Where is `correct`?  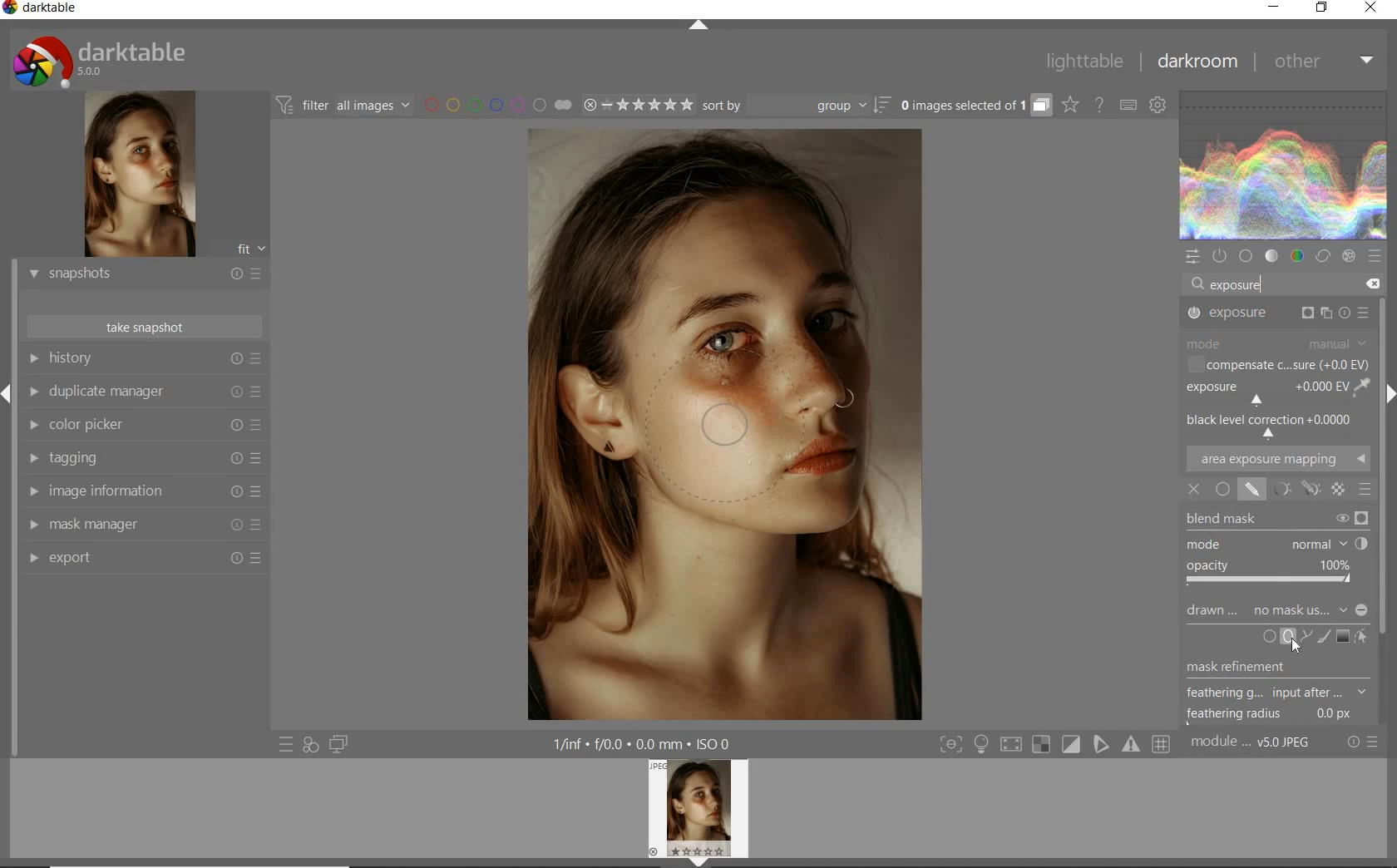
correct is located at coordinates (1324, 254).